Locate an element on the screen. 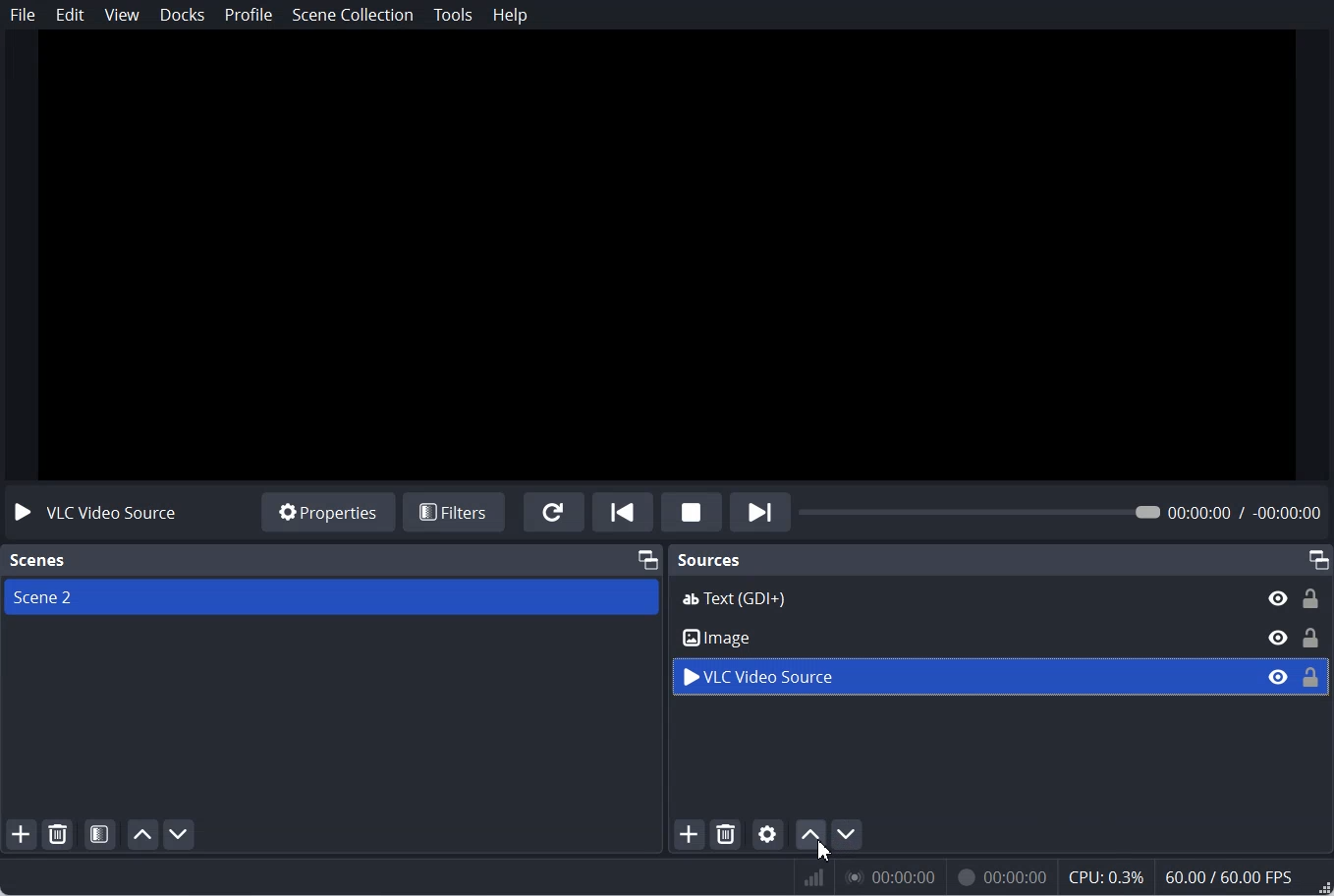 Image resolution: width=1334 pixels, height=896 pixels. Numeric Result is located at coordinates (1064, 875).